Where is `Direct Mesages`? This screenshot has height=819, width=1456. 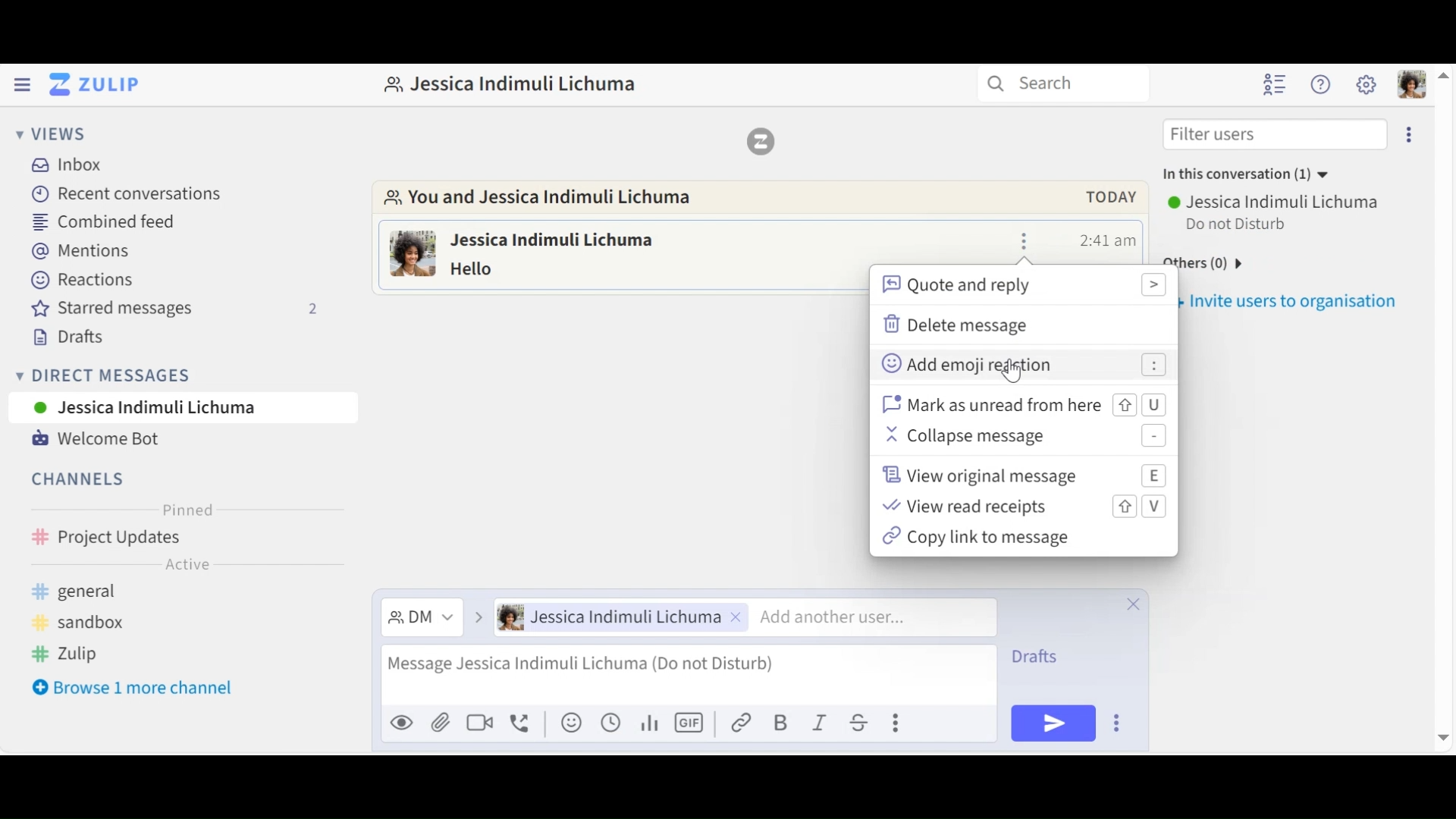
Direct Mesages is located at coordinates (171, 375).